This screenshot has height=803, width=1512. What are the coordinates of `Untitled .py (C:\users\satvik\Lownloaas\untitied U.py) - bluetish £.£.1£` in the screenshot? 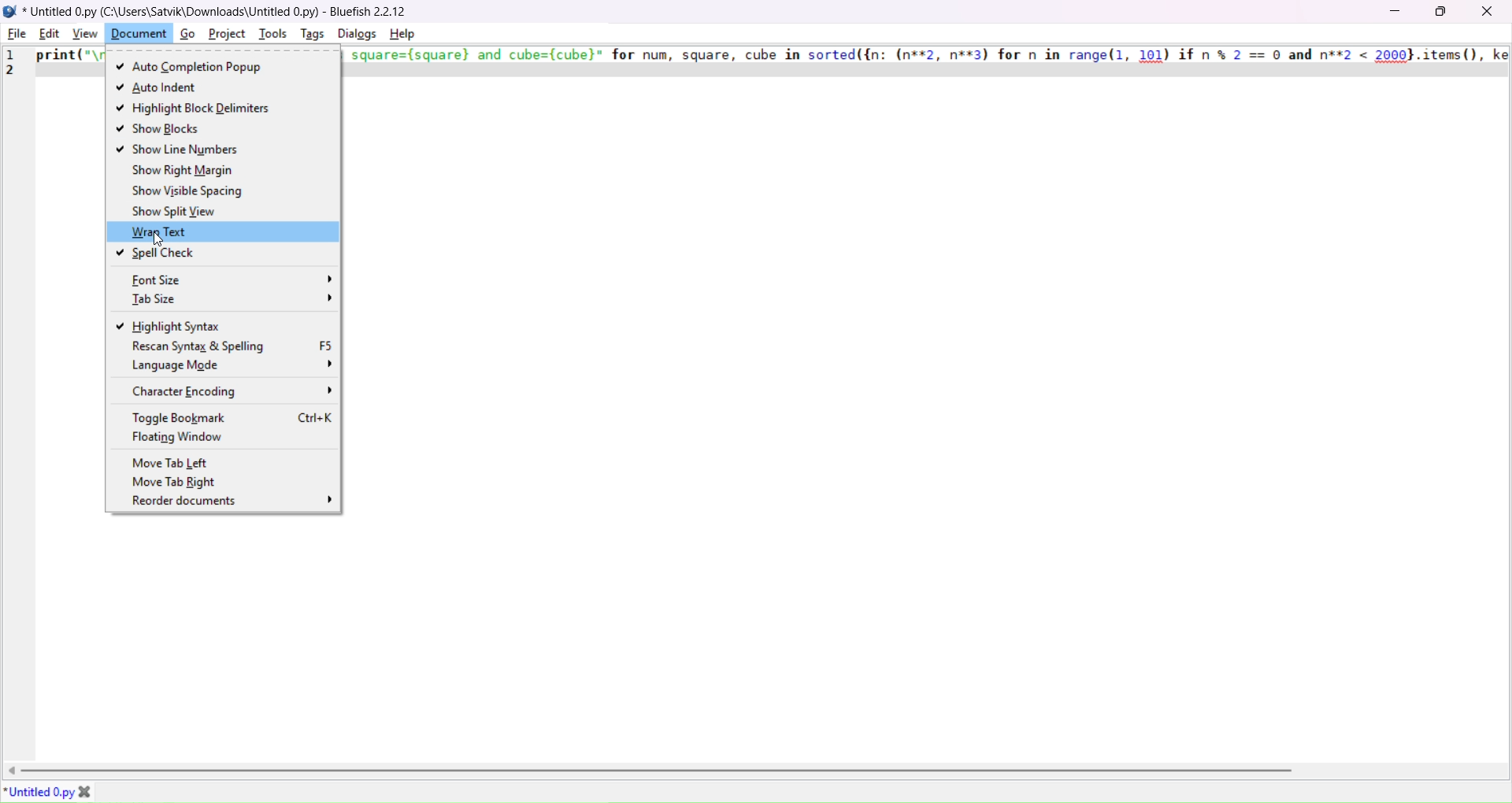 It's located at (221, 11).